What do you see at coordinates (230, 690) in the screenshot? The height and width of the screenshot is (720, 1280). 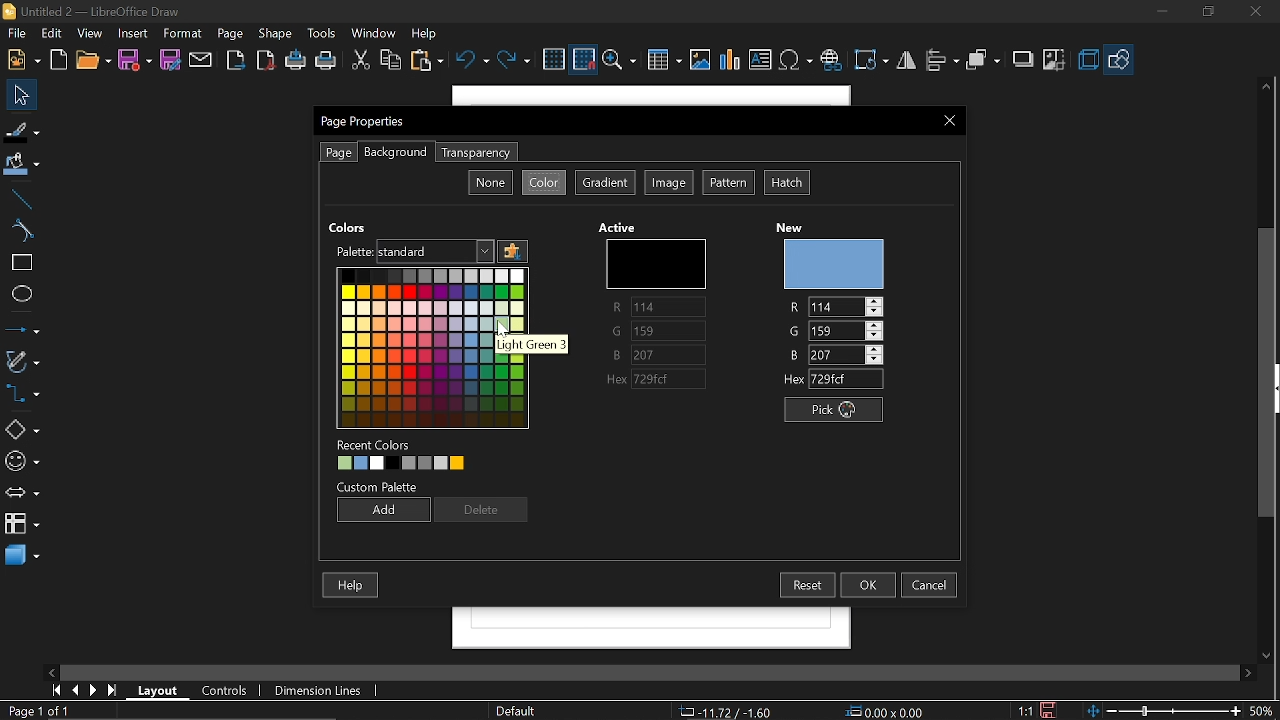 I see `COntrols` at bounding box center [230, 690].